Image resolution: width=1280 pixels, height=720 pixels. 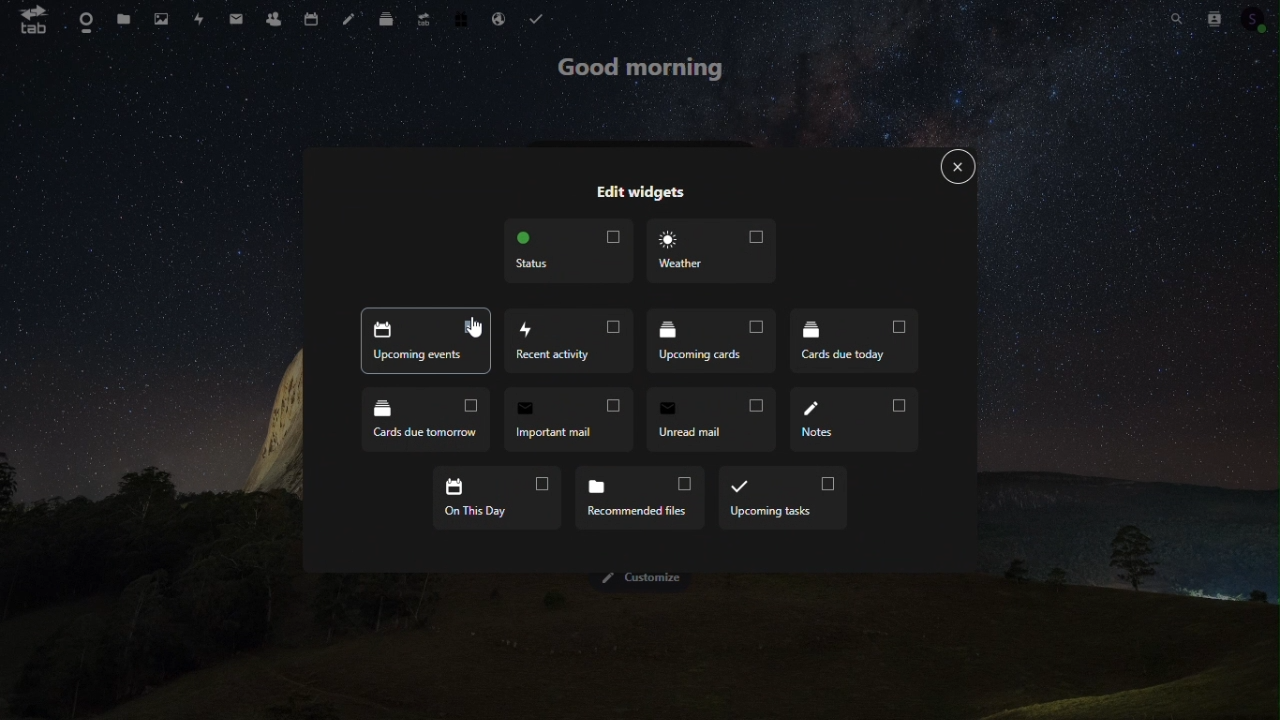 I want to click on tab, so click(x=27, y=19).